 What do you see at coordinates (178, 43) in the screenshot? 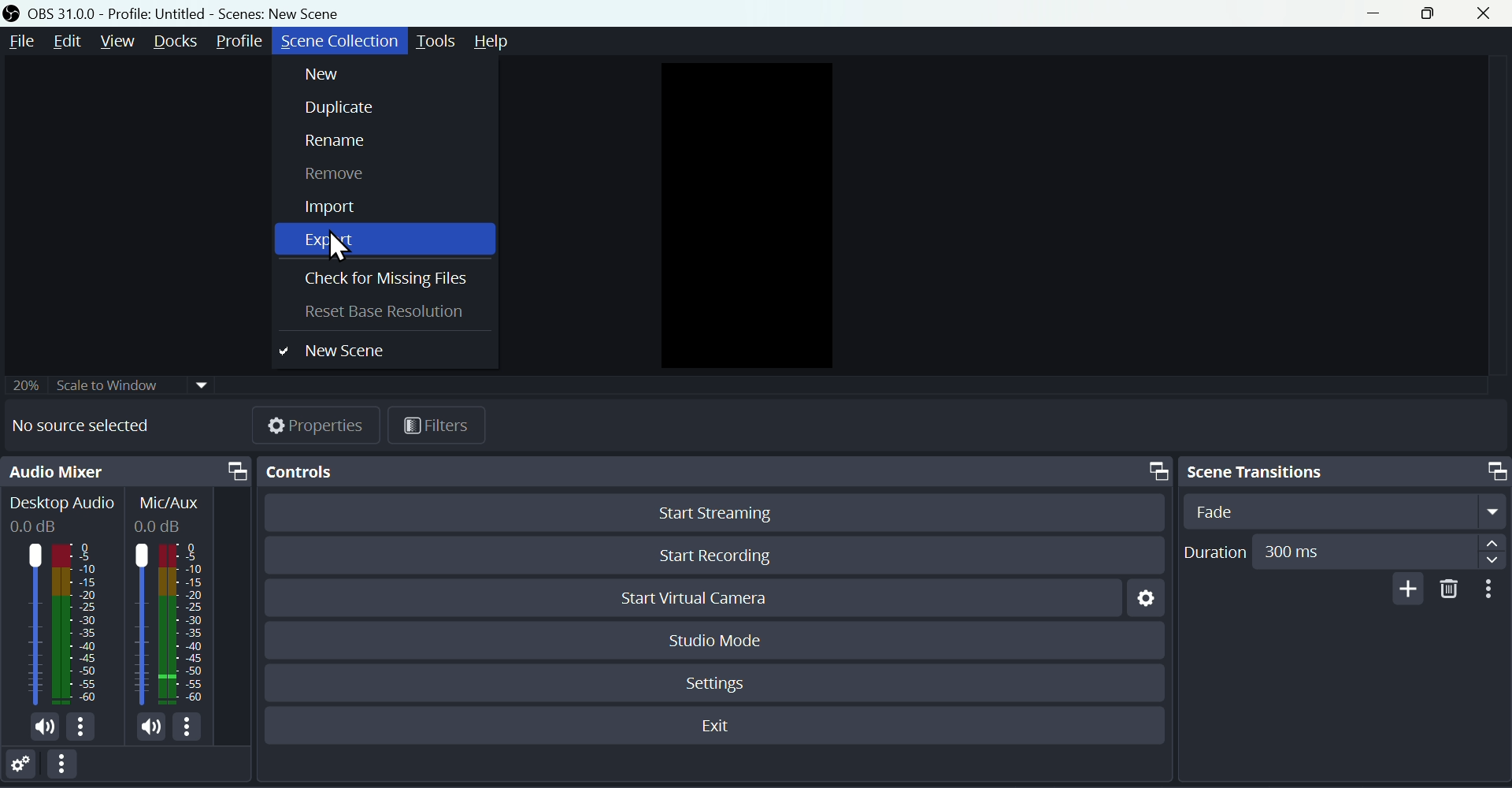
I see `Docks` at bounding box center [178, 43].